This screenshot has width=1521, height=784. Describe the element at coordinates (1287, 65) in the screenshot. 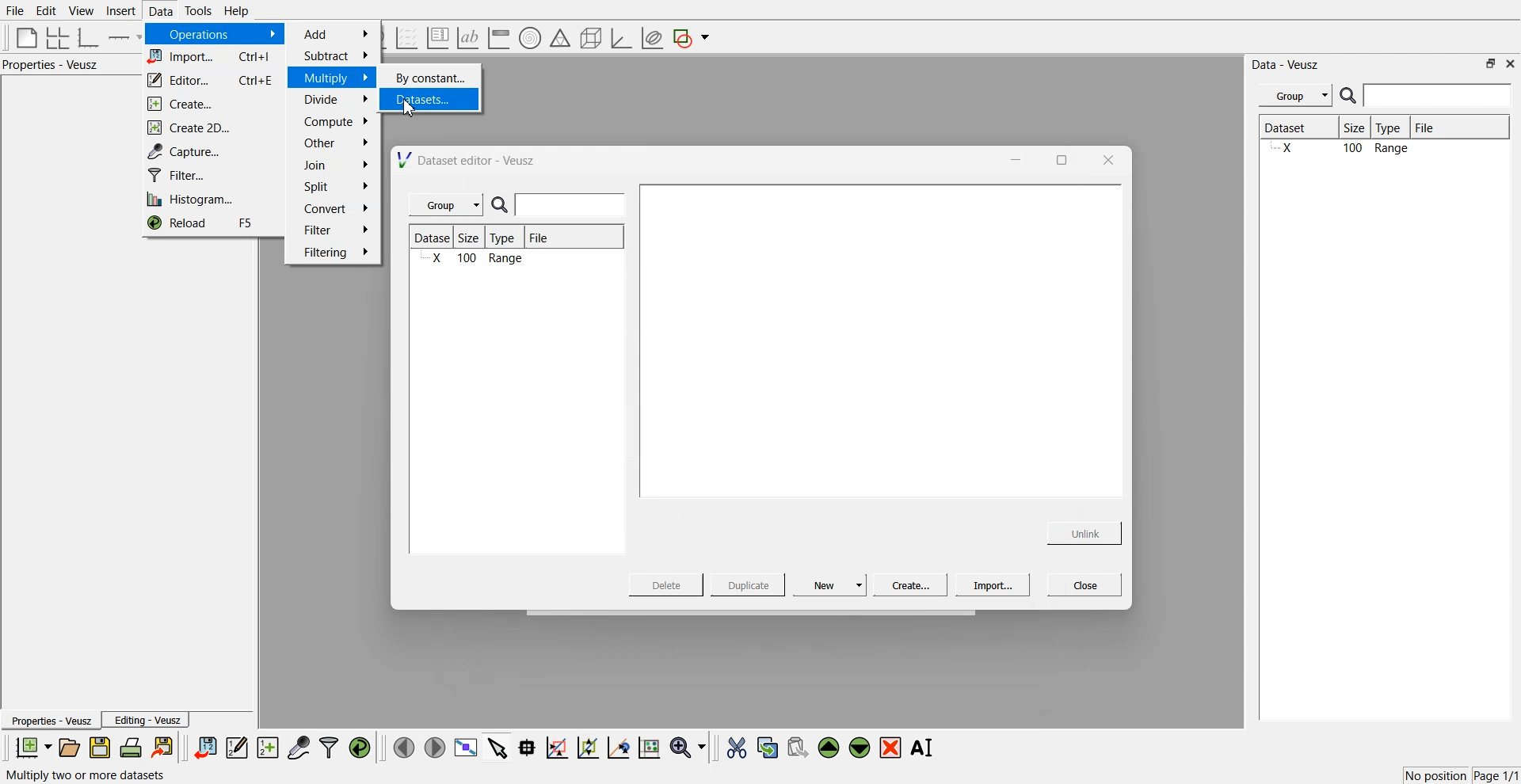

I see `Data - Veusz` at that location.